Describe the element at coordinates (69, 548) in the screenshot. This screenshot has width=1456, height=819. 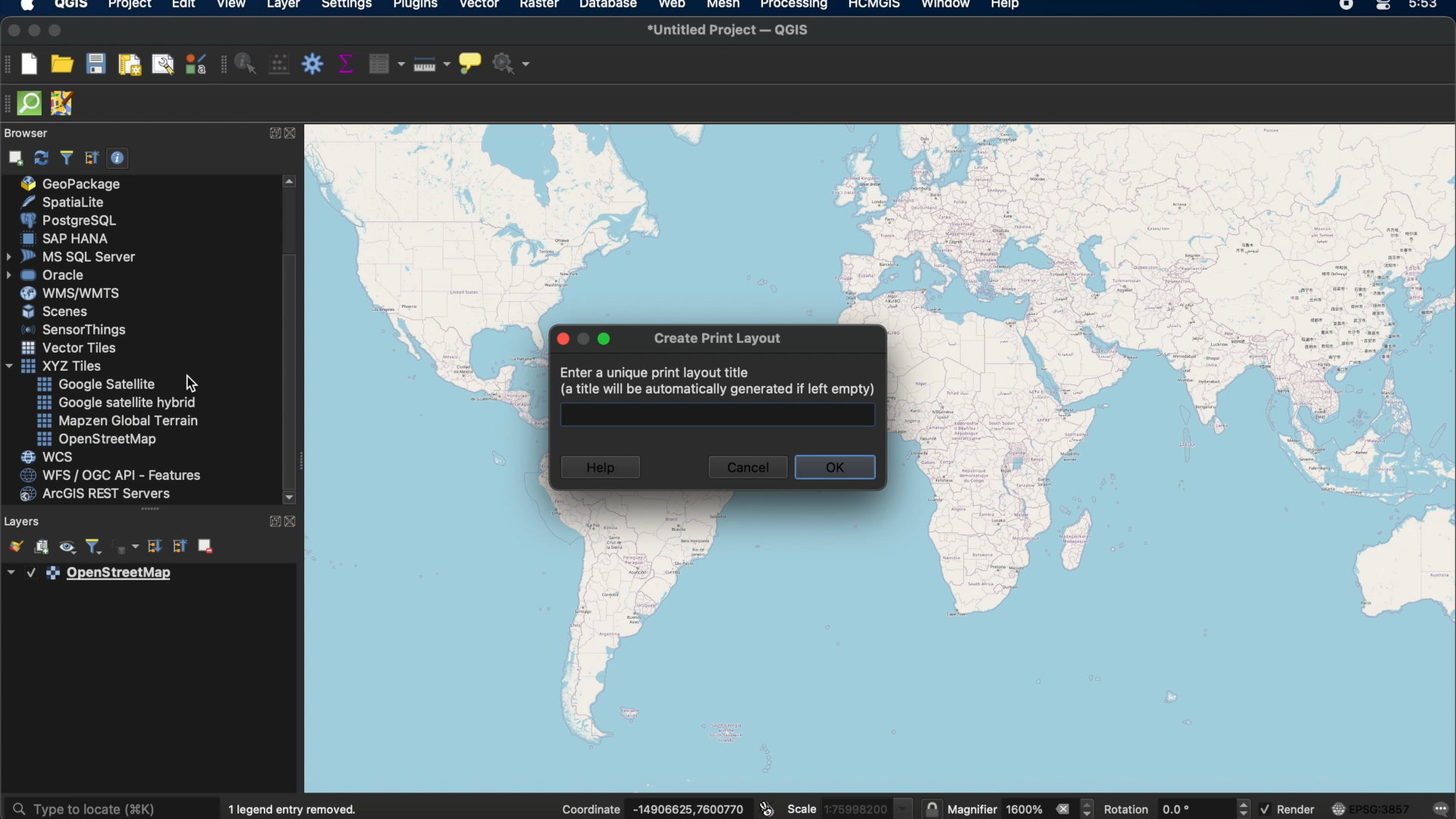
I see `manage map themes` at that location.